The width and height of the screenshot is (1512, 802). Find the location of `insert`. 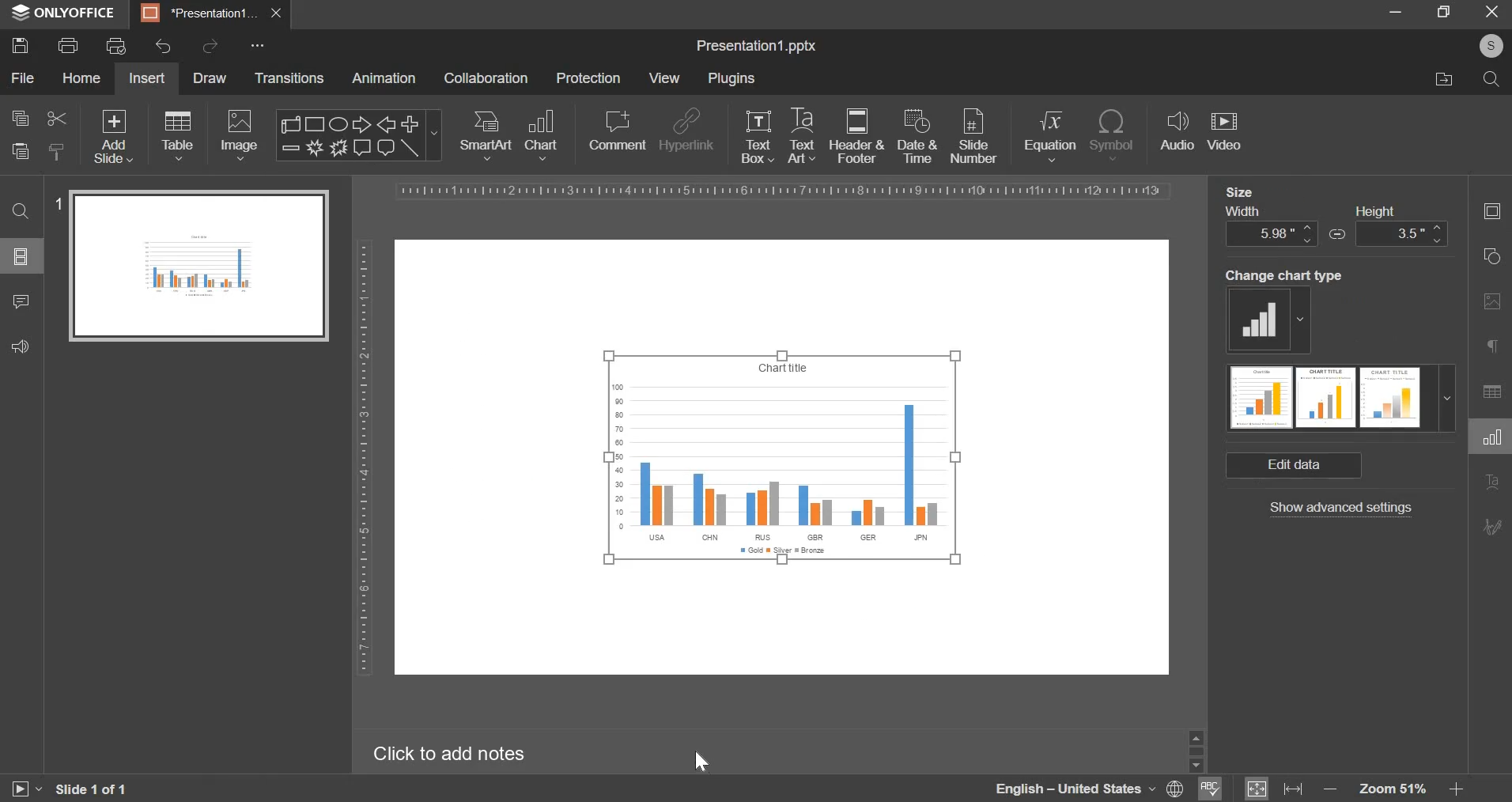

insert is located at coordinates (146, 78).